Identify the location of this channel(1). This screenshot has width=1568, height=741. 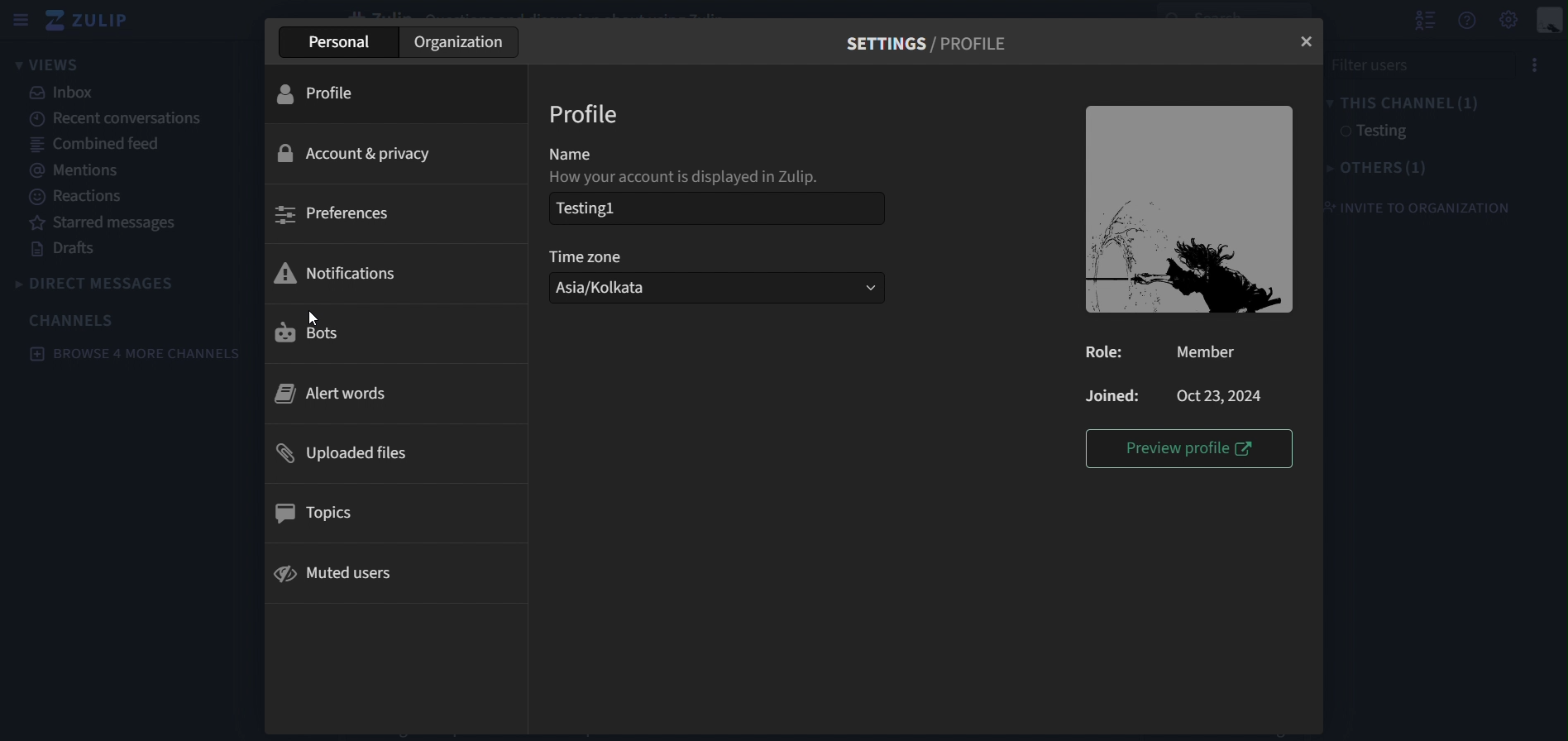
(1402, 101).